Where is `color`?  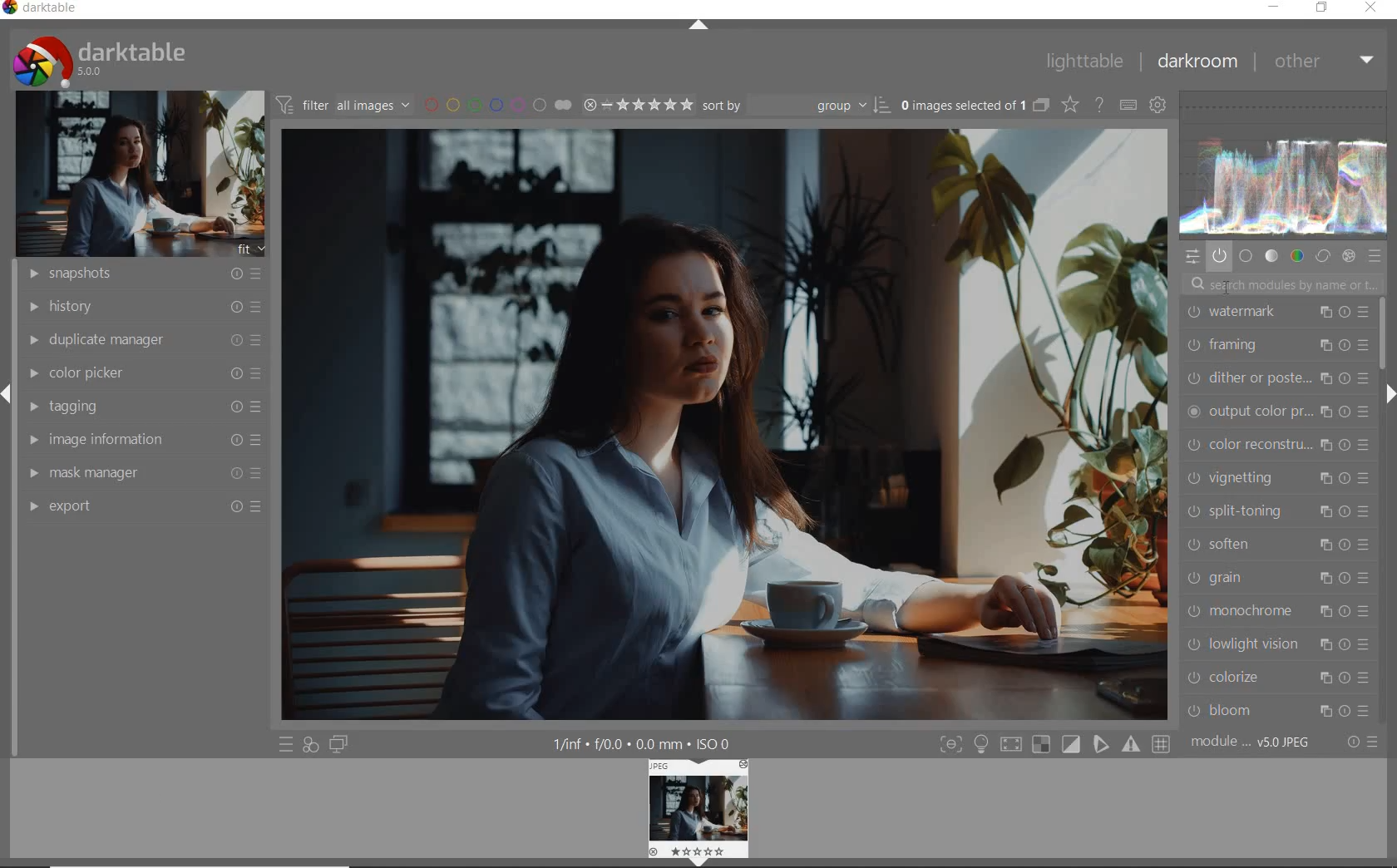 color is located at coordinates (1296, 256).